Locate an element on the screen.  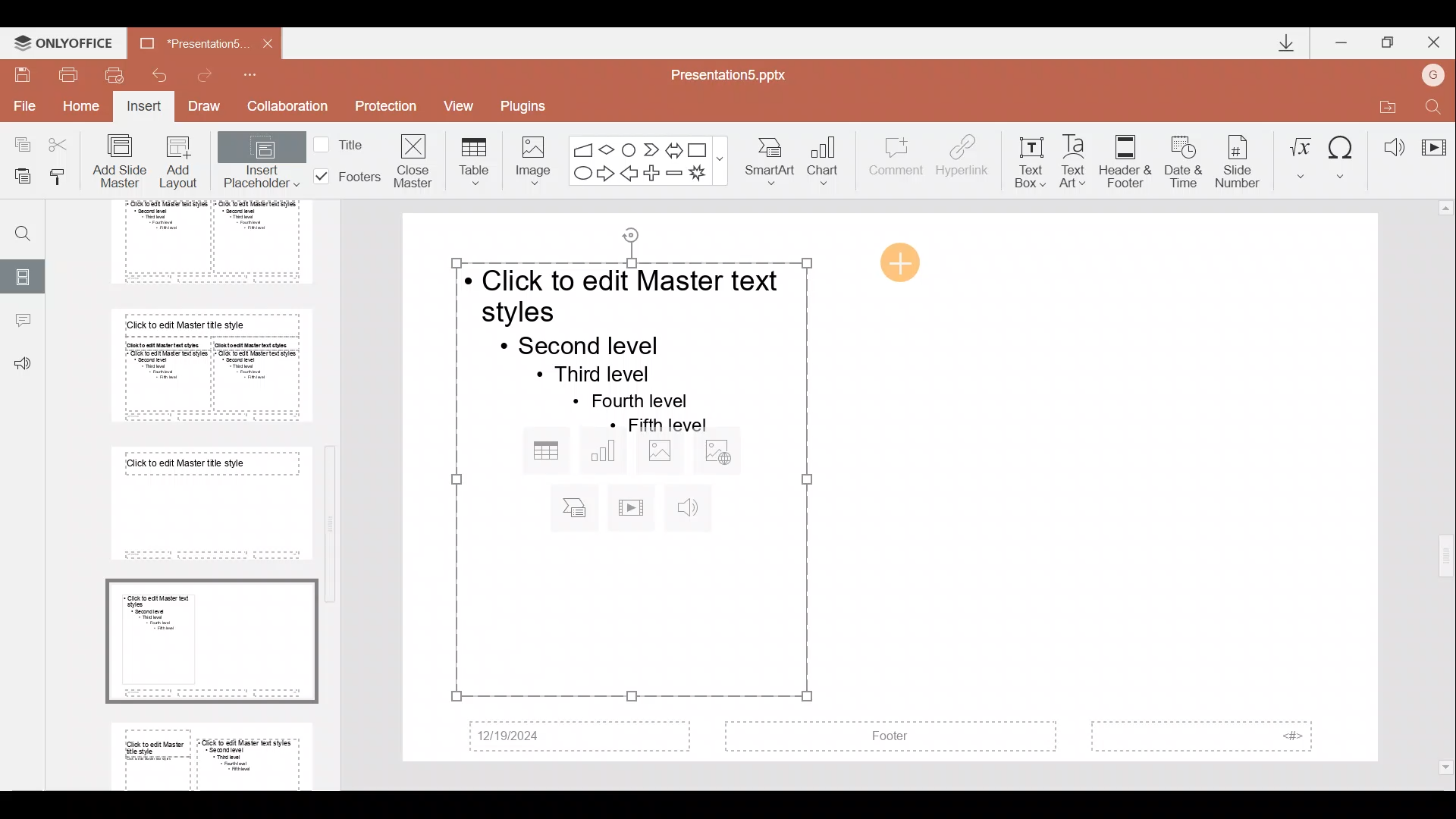
Feedback & support is located at coordinates (23, 365).